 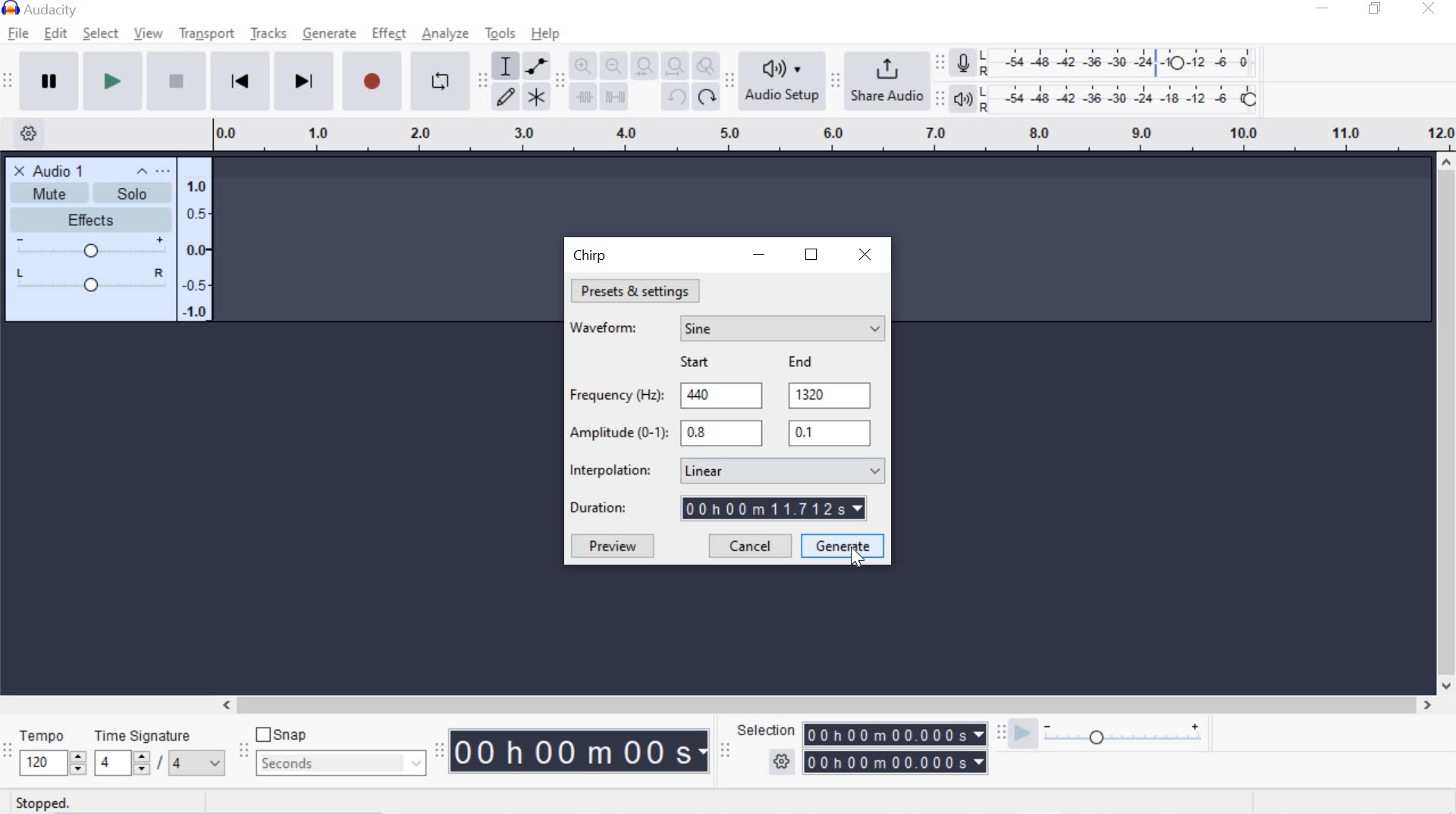 What do you see at coordinates (306, 80) in the screenshot?
I see `Skip to end` at bounding box center [306, 80].